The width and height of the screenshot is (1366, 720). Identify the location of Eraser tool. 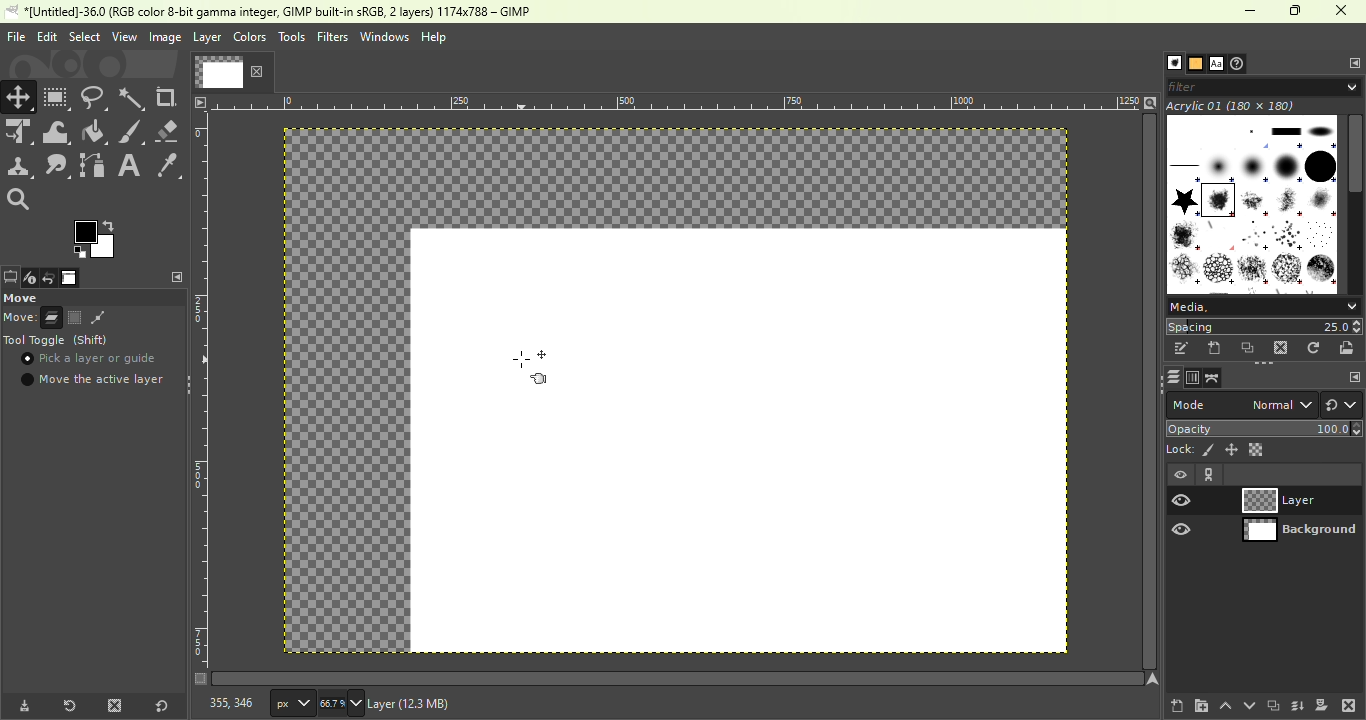
(169, 131).